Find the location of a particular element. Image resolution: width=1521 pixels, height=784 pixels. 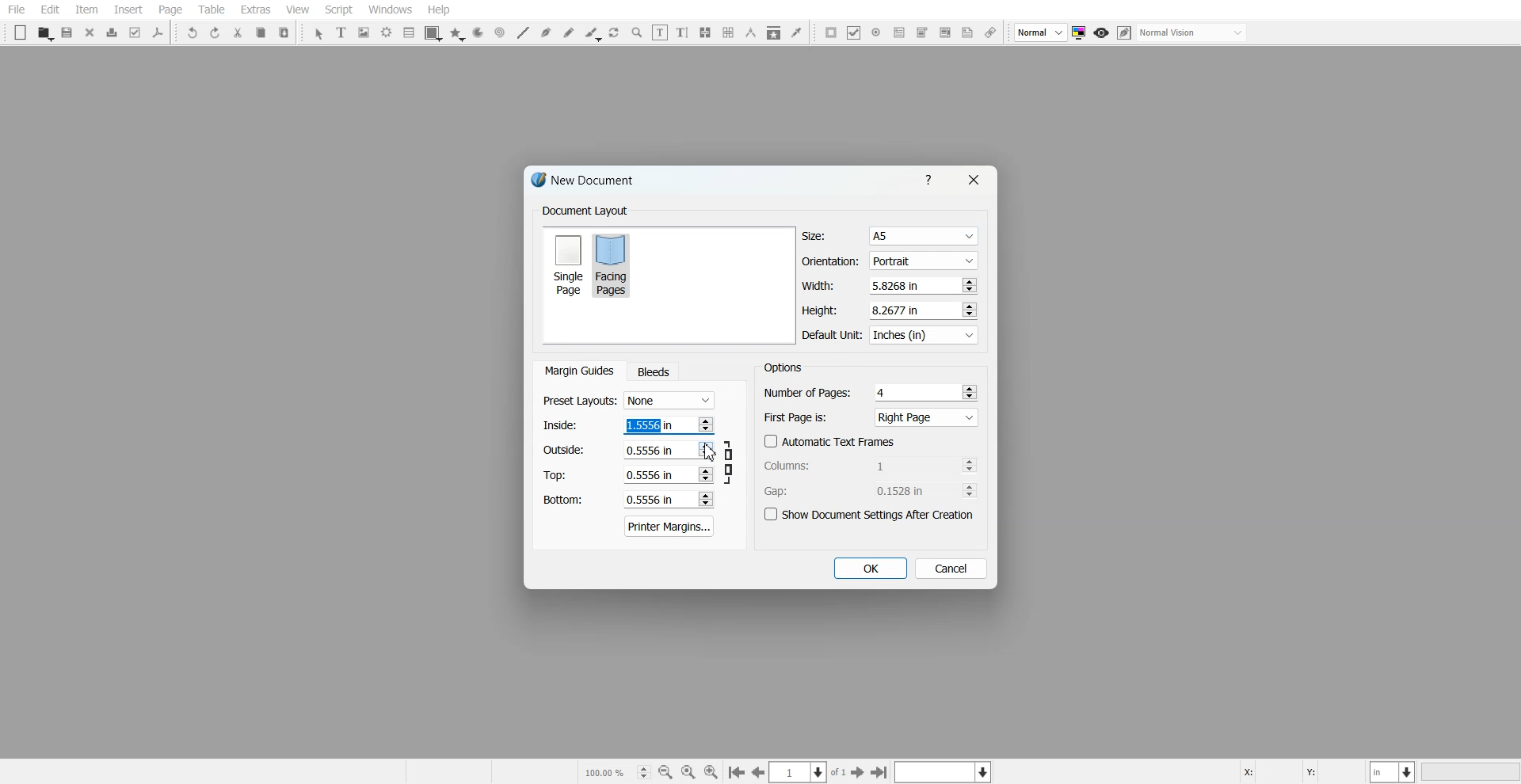

Increase and decrease No.  is located at coordinates (970, 391).